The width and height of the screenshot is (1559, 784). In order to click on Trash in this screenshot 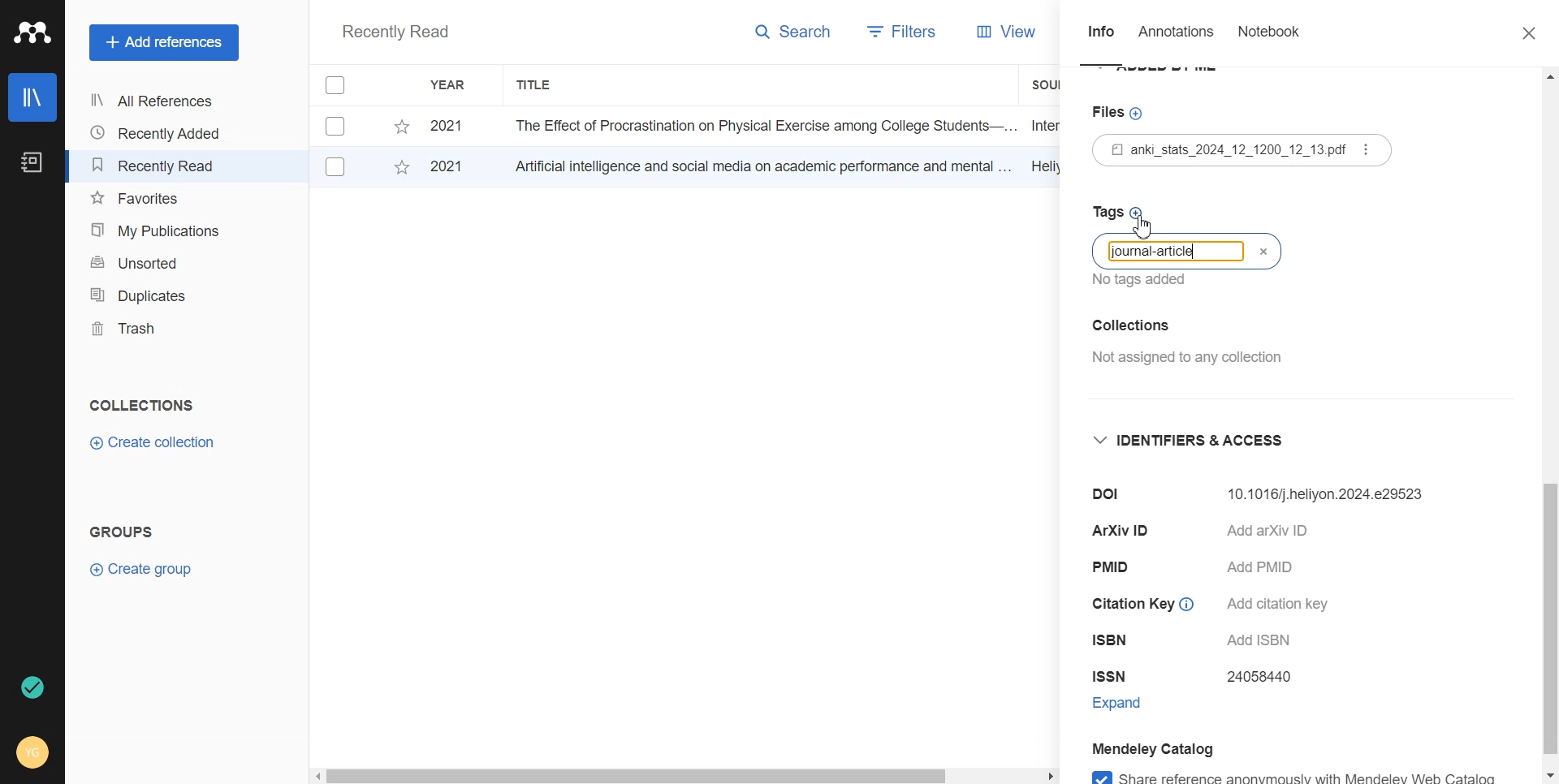, I will do `click(159, 329)`.